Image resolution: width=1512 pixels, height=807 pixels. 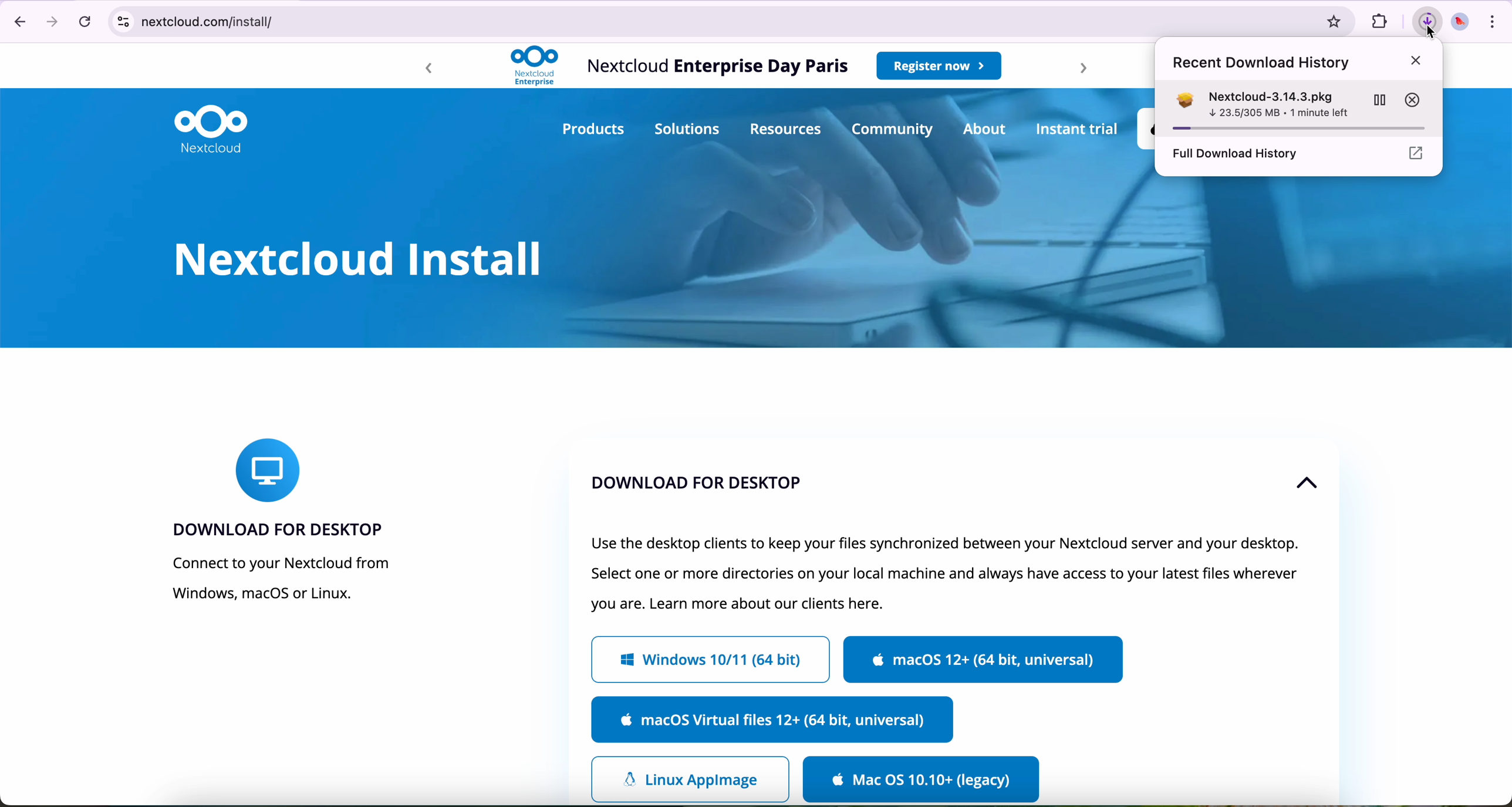 I want to click on resources, so click(x=787, y=130).